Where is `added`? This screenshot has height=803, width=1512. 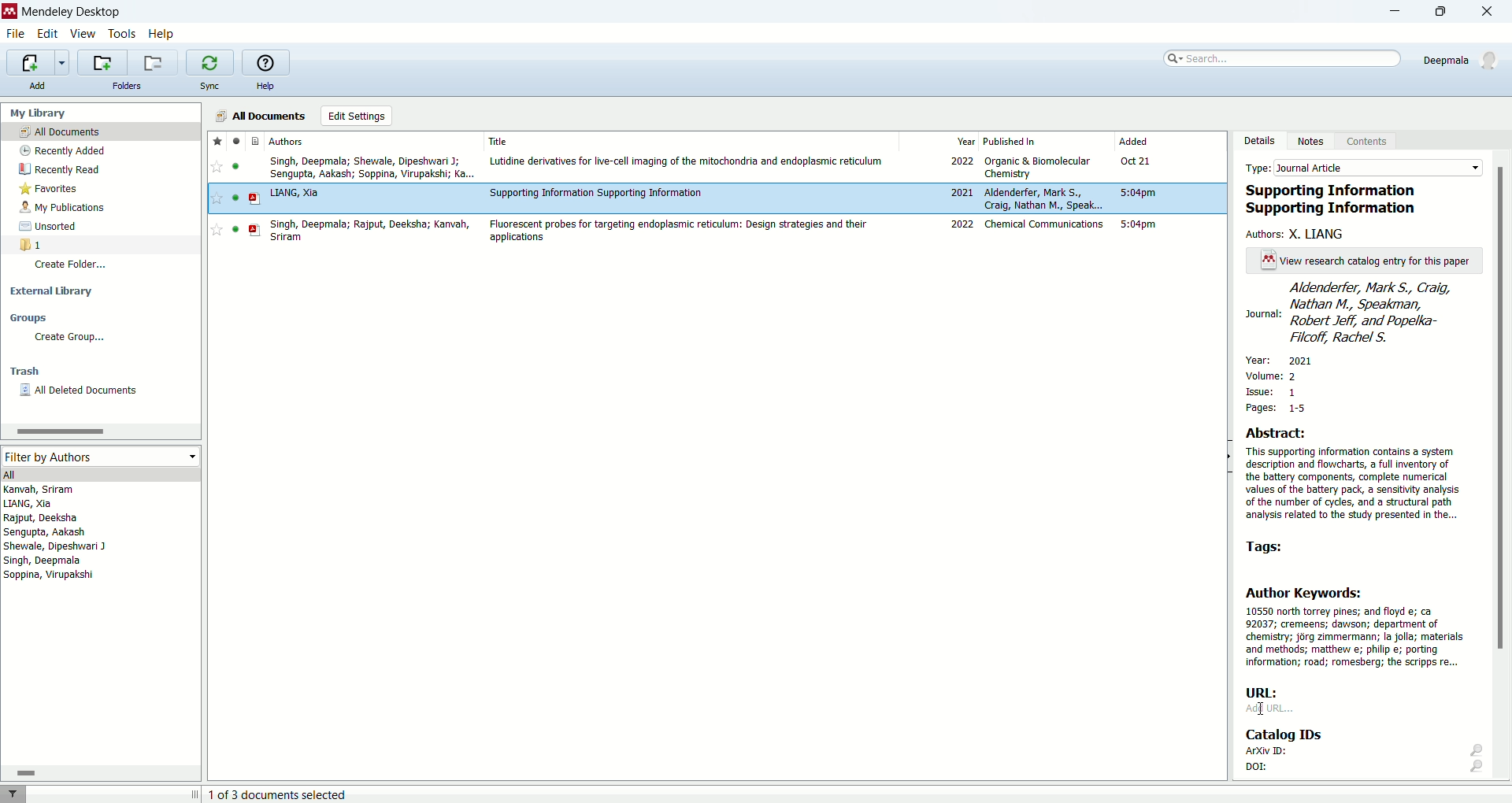 added is located at coordinates (1133, 140).